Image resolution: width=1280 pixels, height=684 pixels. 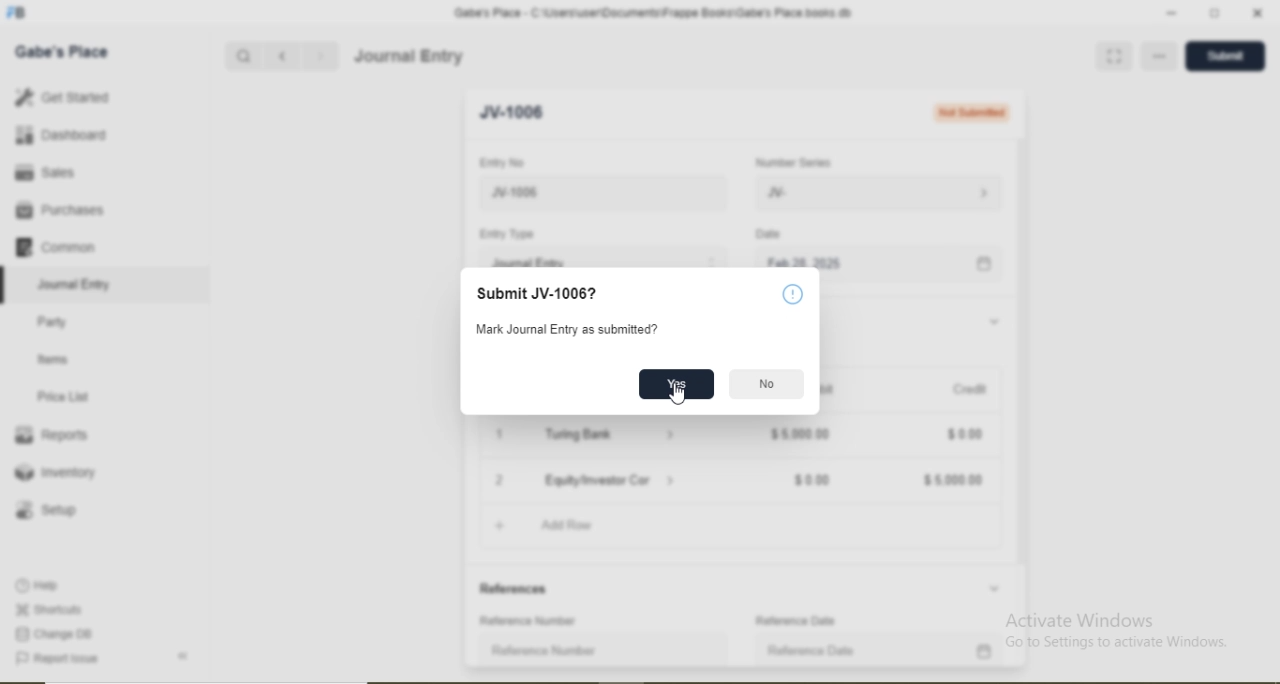 I want to click on Full screen, so click(x=1113, y=56).